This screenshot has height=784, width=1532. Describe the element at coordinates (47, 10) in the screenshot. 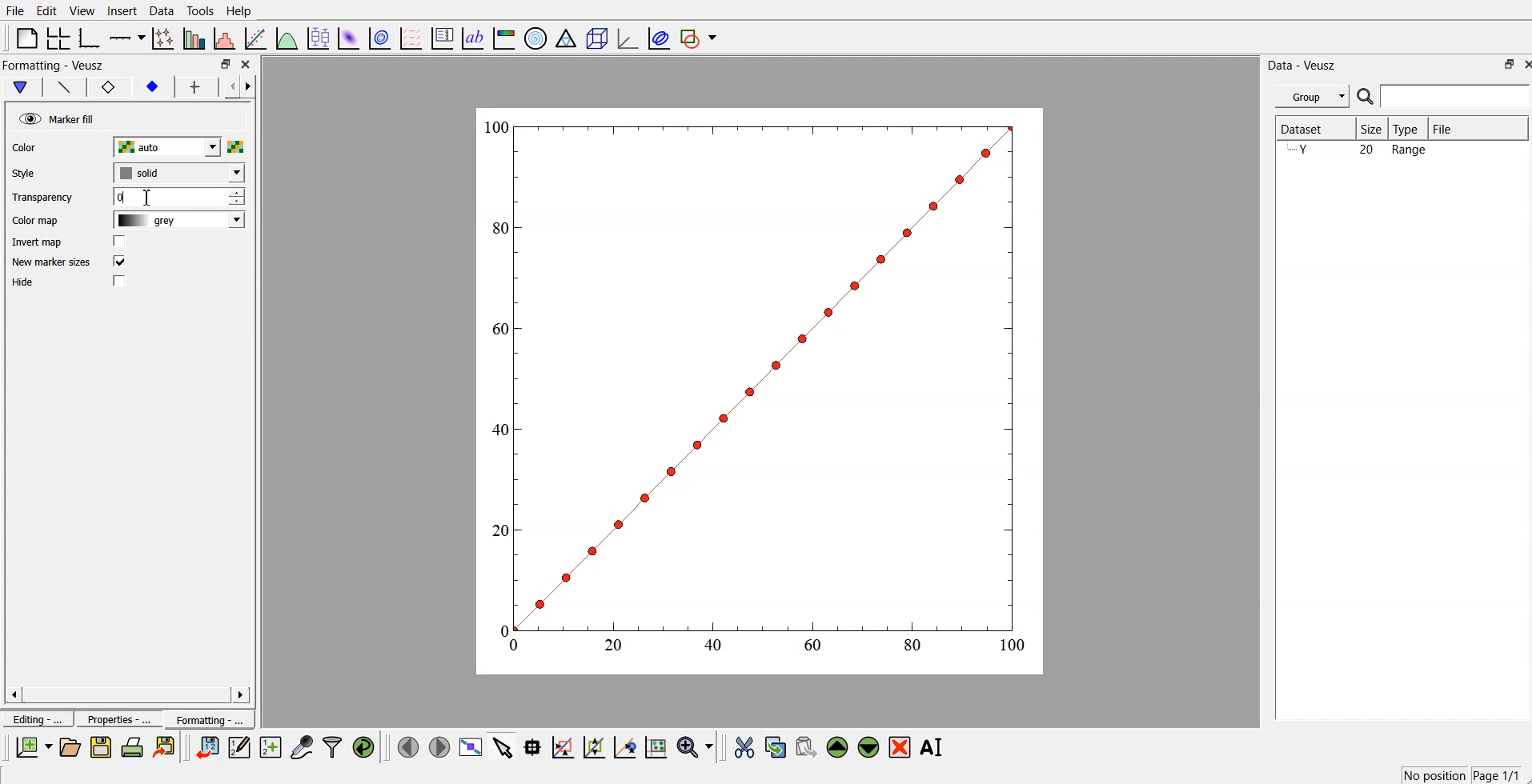

I see `Edit` at that location.